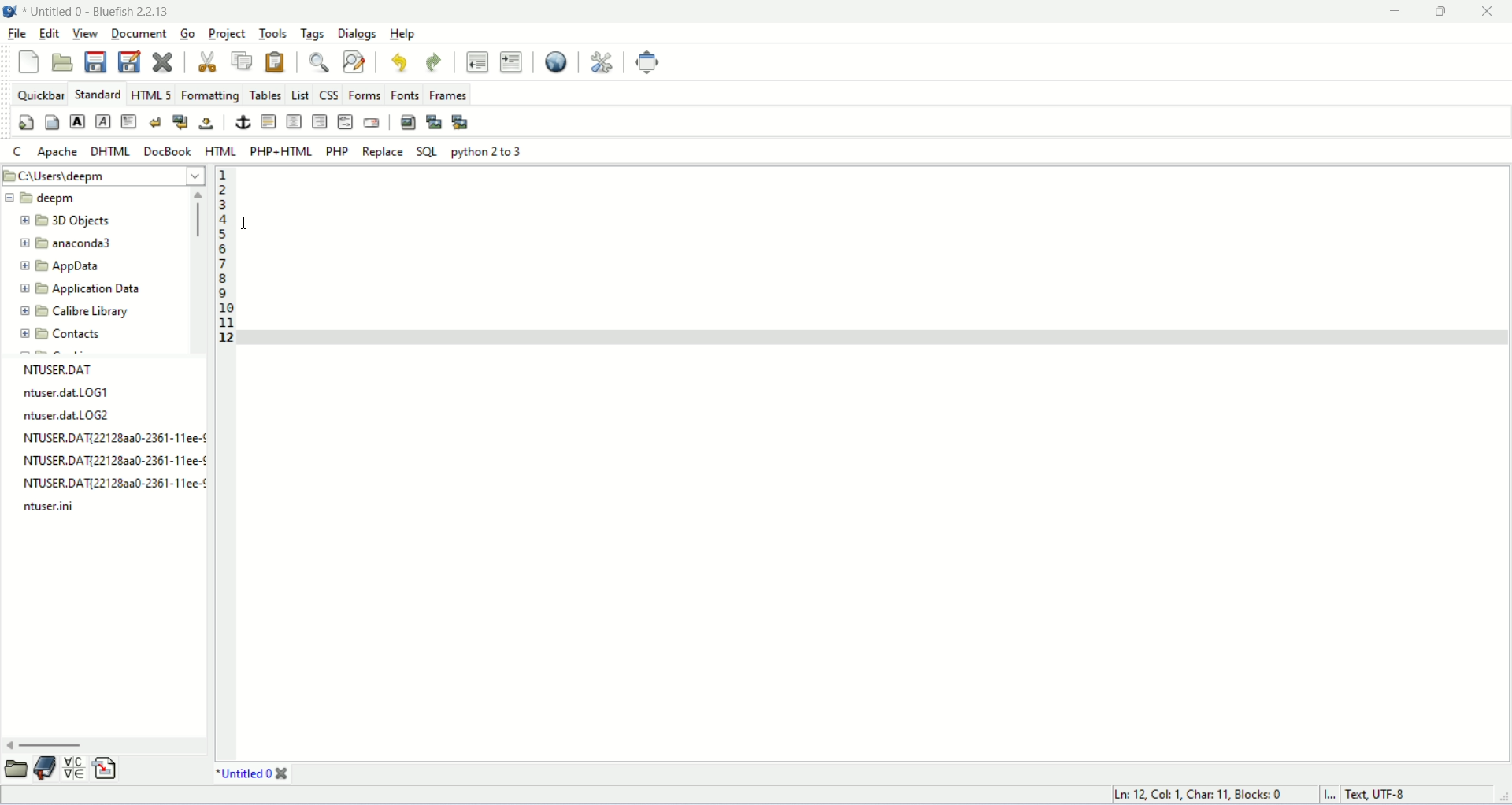 Image resolution: width=1512 pixels, height=805 pixels. What do you see at coordinates (409, 123) in the screenshot?
I see `insert image` at bounding box center [409, 123].